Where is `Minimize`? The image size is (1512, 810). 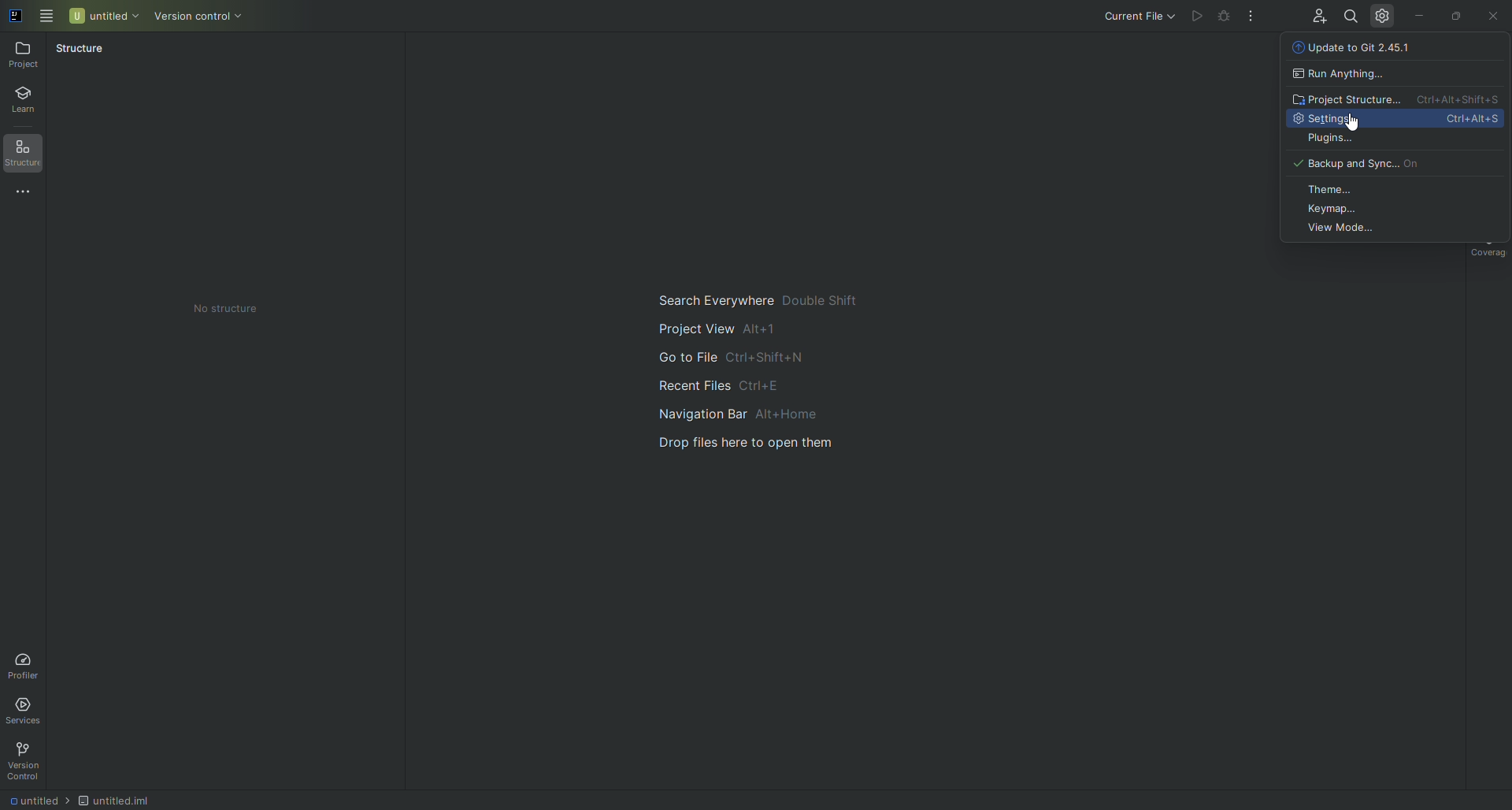
Minimize is located at coordinates (1420, 17).